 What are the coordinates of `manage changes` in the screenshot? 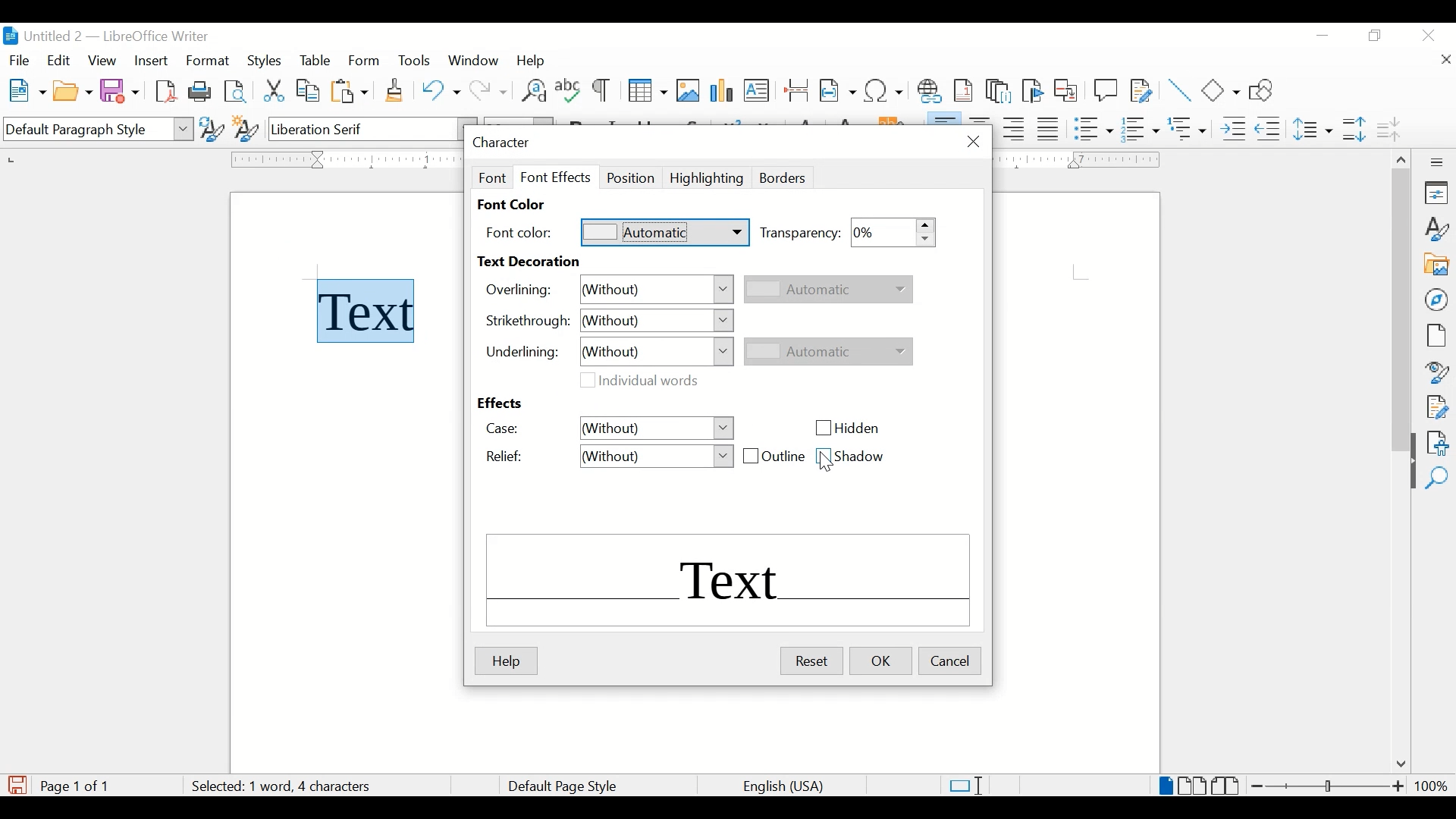 It's located at (1437, 407).